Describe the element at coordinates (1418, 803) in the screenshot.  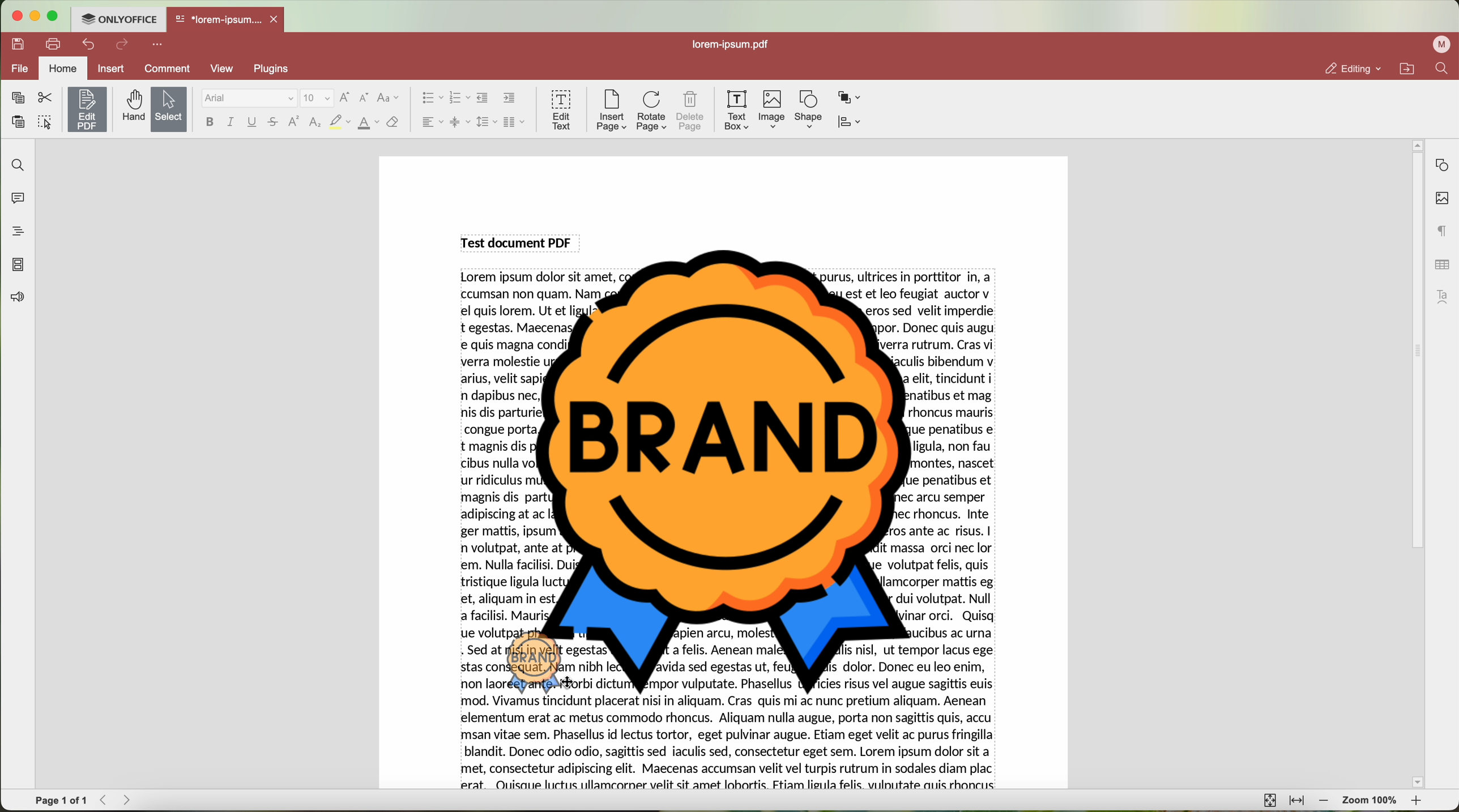
I see `zoom in` at that location.